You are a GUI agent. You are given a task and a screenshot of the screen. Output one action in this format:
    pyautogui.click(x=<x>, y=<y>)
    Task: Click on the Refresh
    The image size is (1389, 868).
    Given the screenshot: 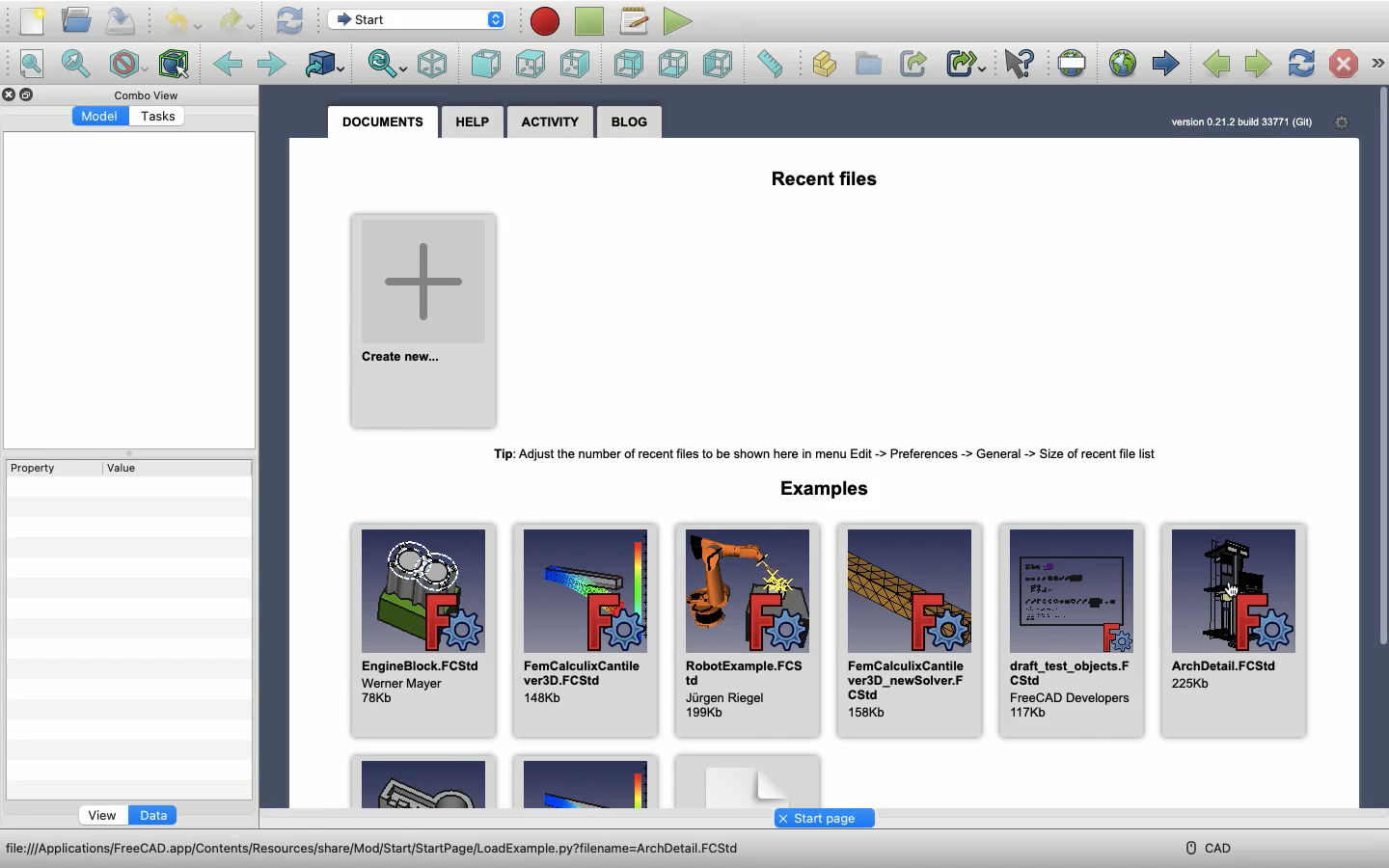 What is the action you would take?
    pyautogui.click(x=291, y=21)
    